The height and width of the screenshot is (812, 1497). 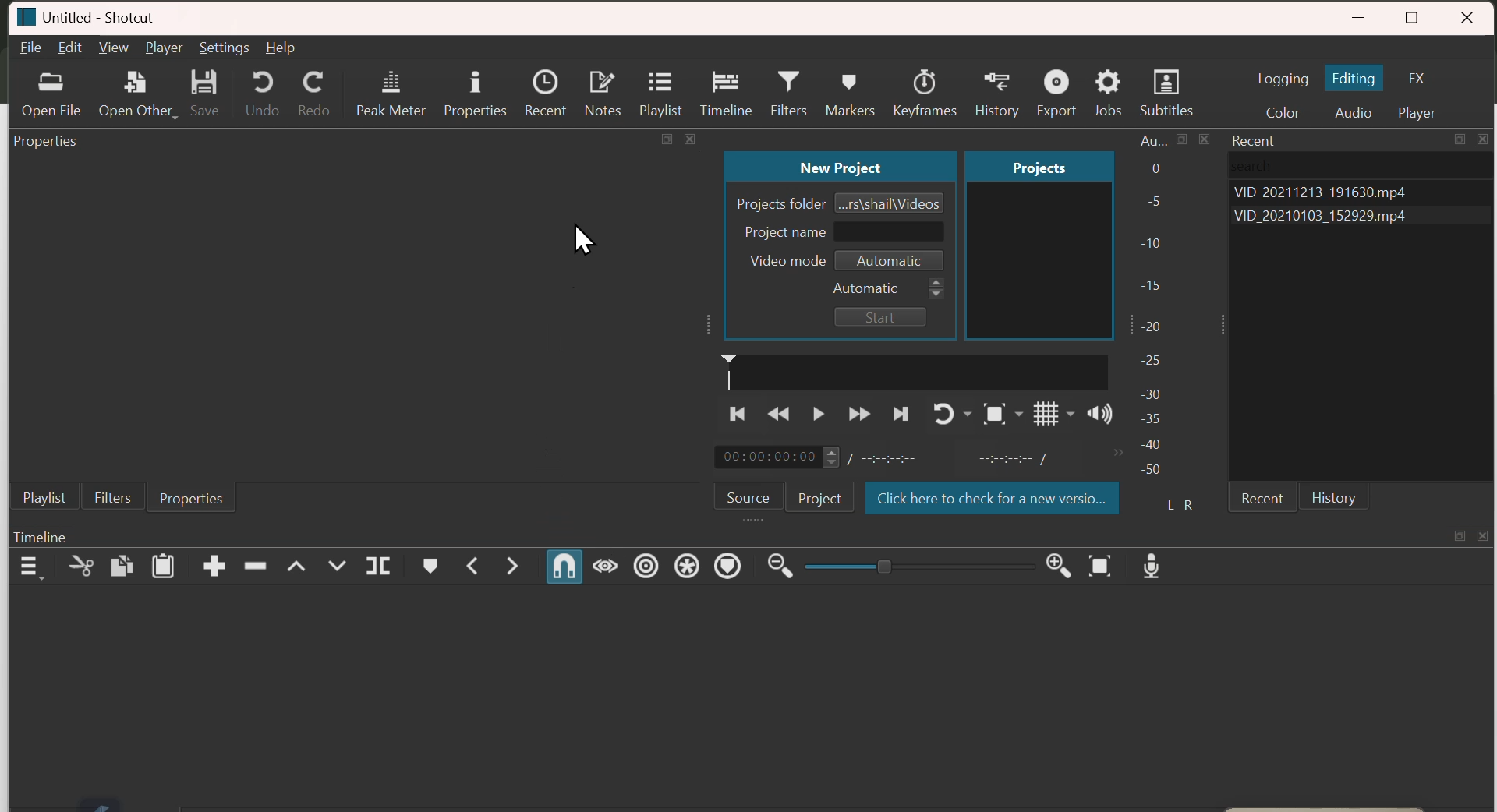 I want to click on Cut, so click(x=82, y=567).